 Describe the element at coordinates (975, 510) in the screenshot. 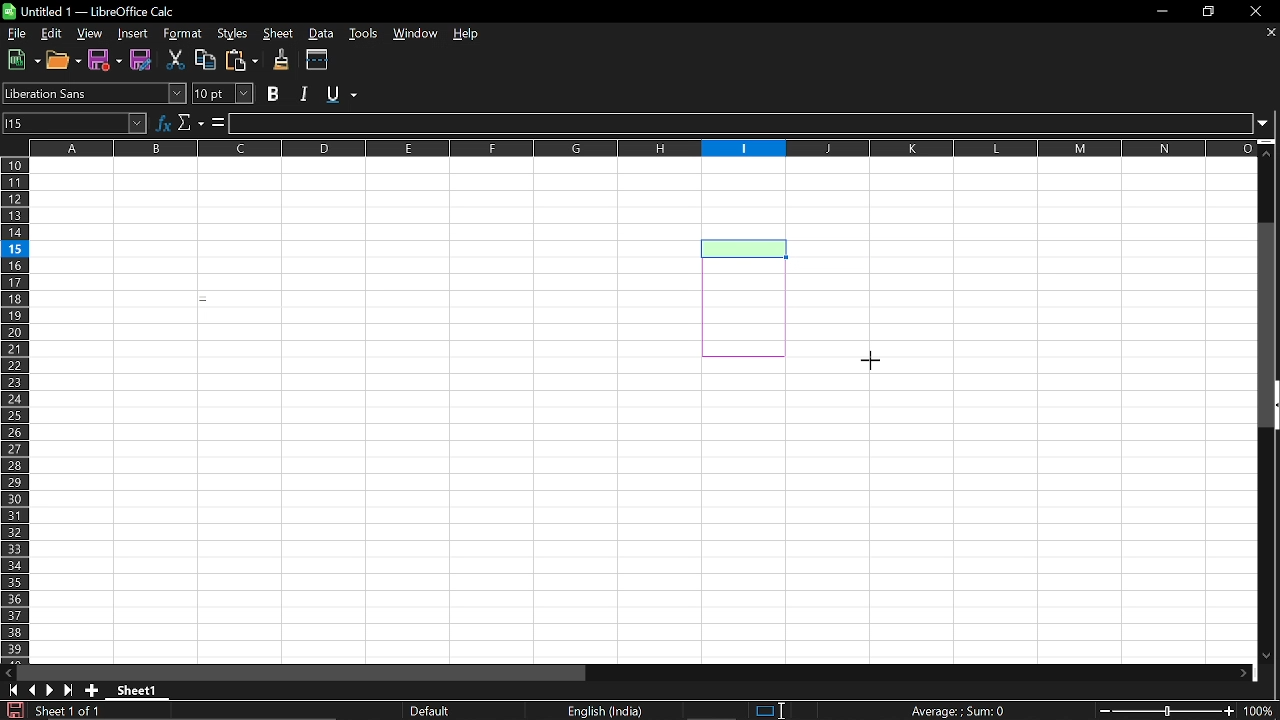

I see `Fillable cells` at that location.